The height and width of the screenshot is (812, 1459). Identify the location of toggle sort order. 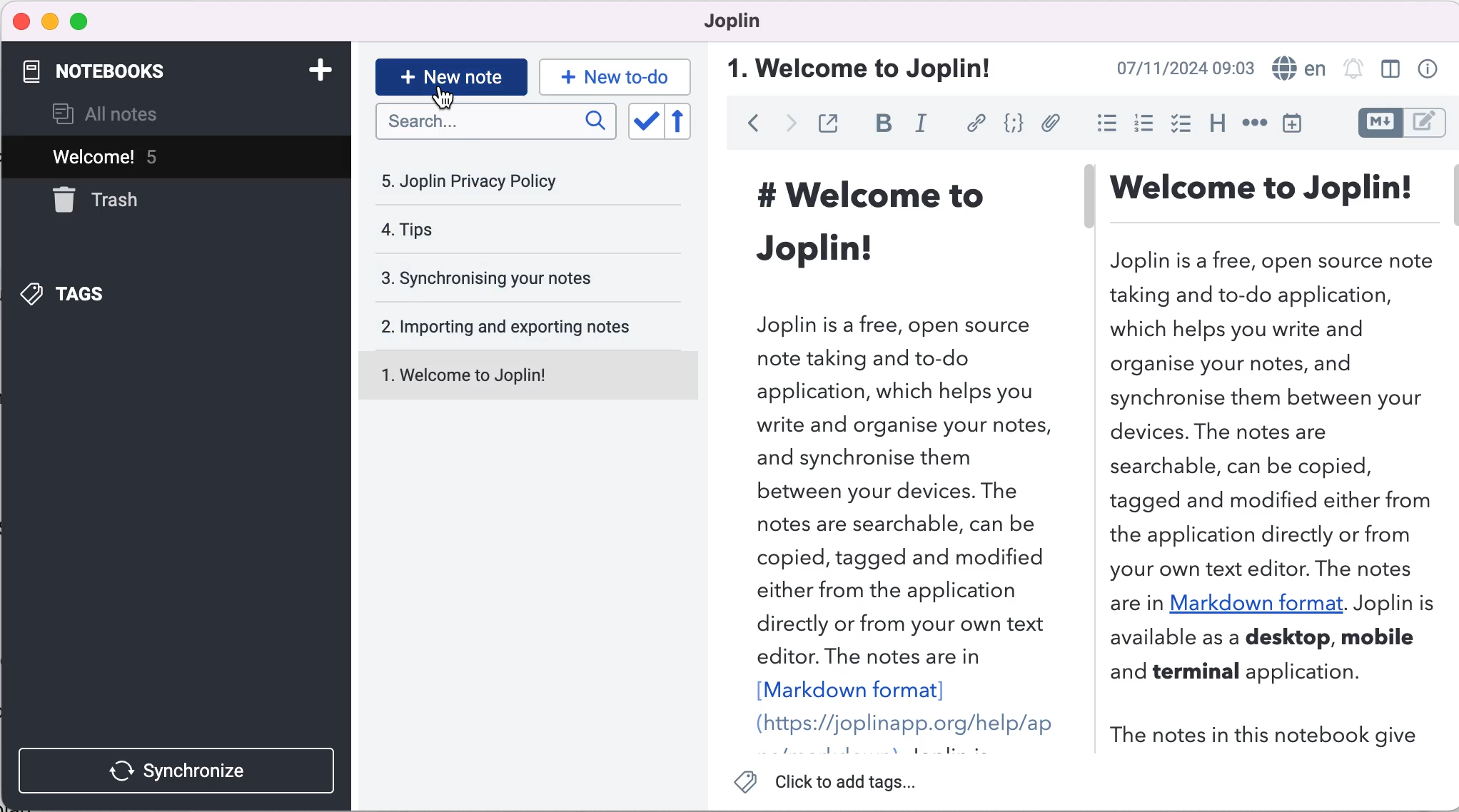
(645, 122).